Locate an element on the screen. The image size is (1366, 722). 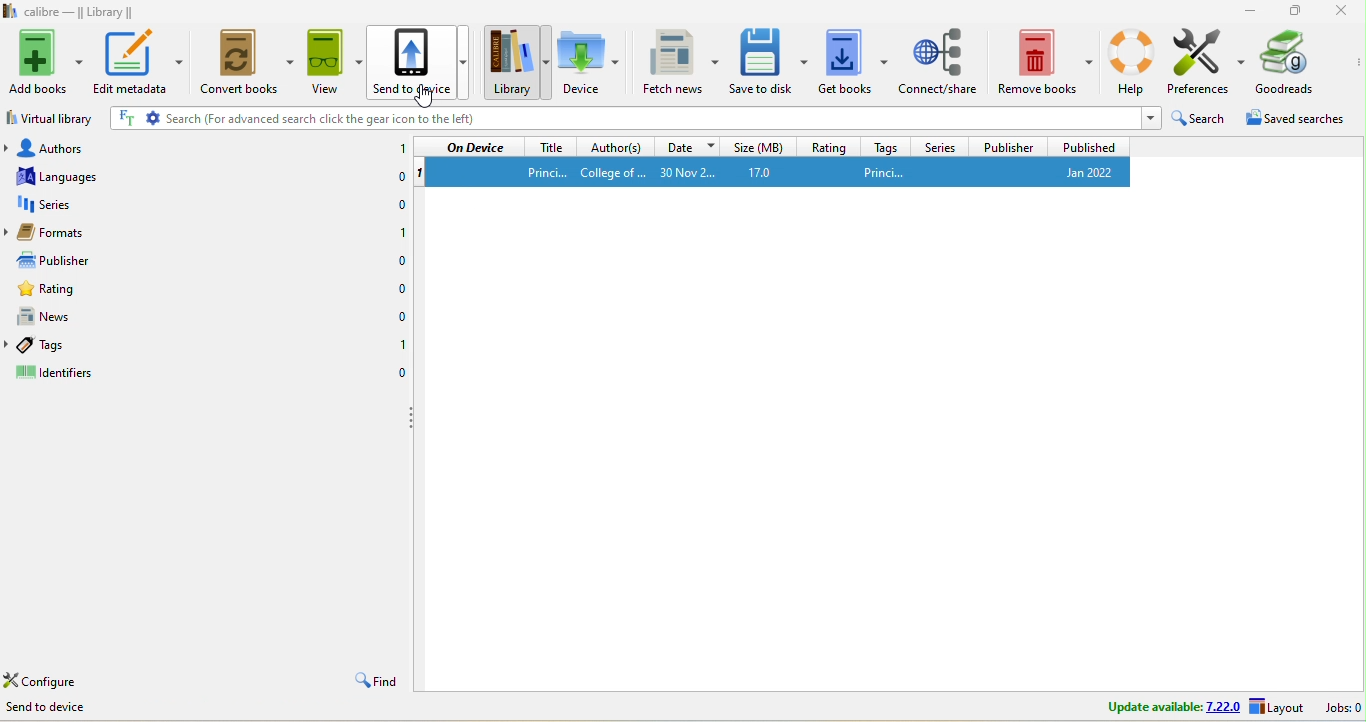
get books is located at coordinates (855, 64).